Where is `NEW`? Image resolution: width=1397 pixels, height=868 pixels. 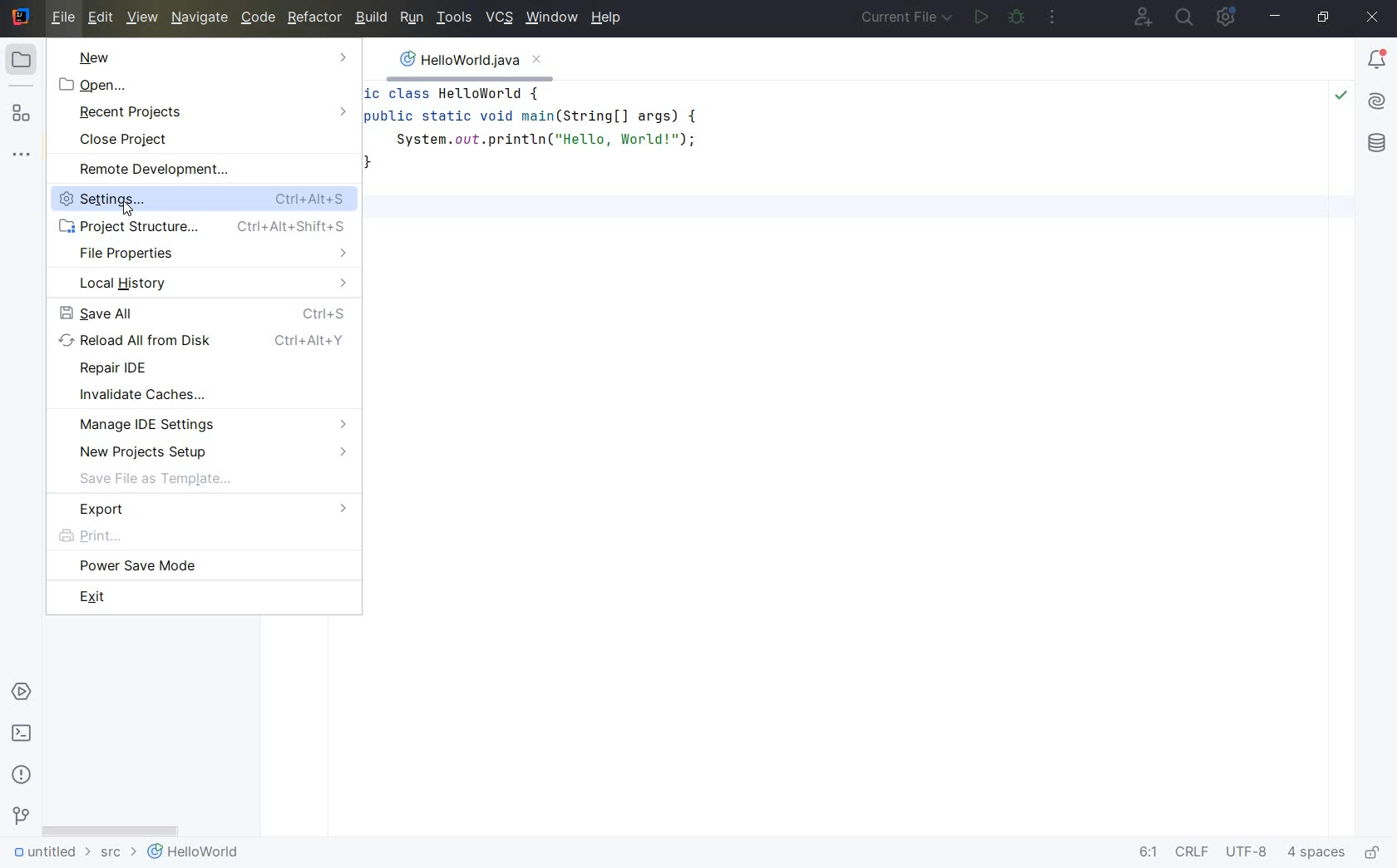
NEW is located at coordinates (210, 57).